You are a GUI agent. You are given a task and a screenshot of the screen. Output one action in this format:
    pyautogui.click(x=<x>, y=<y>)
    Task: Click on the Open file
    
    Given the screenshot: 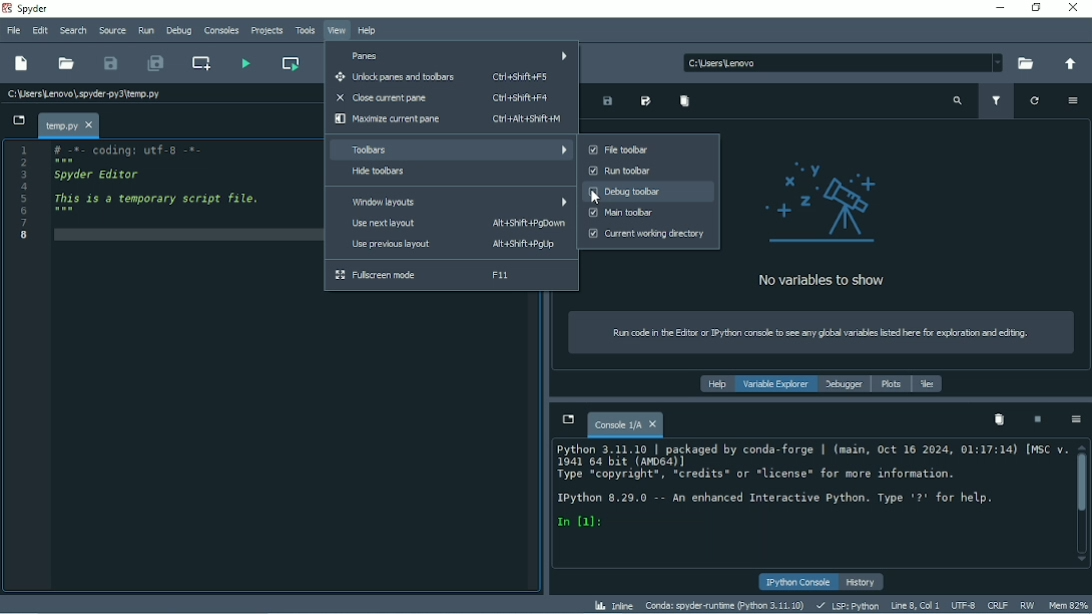 What is the action you would take?
    pyautogui.click(x=67, y=63)
    